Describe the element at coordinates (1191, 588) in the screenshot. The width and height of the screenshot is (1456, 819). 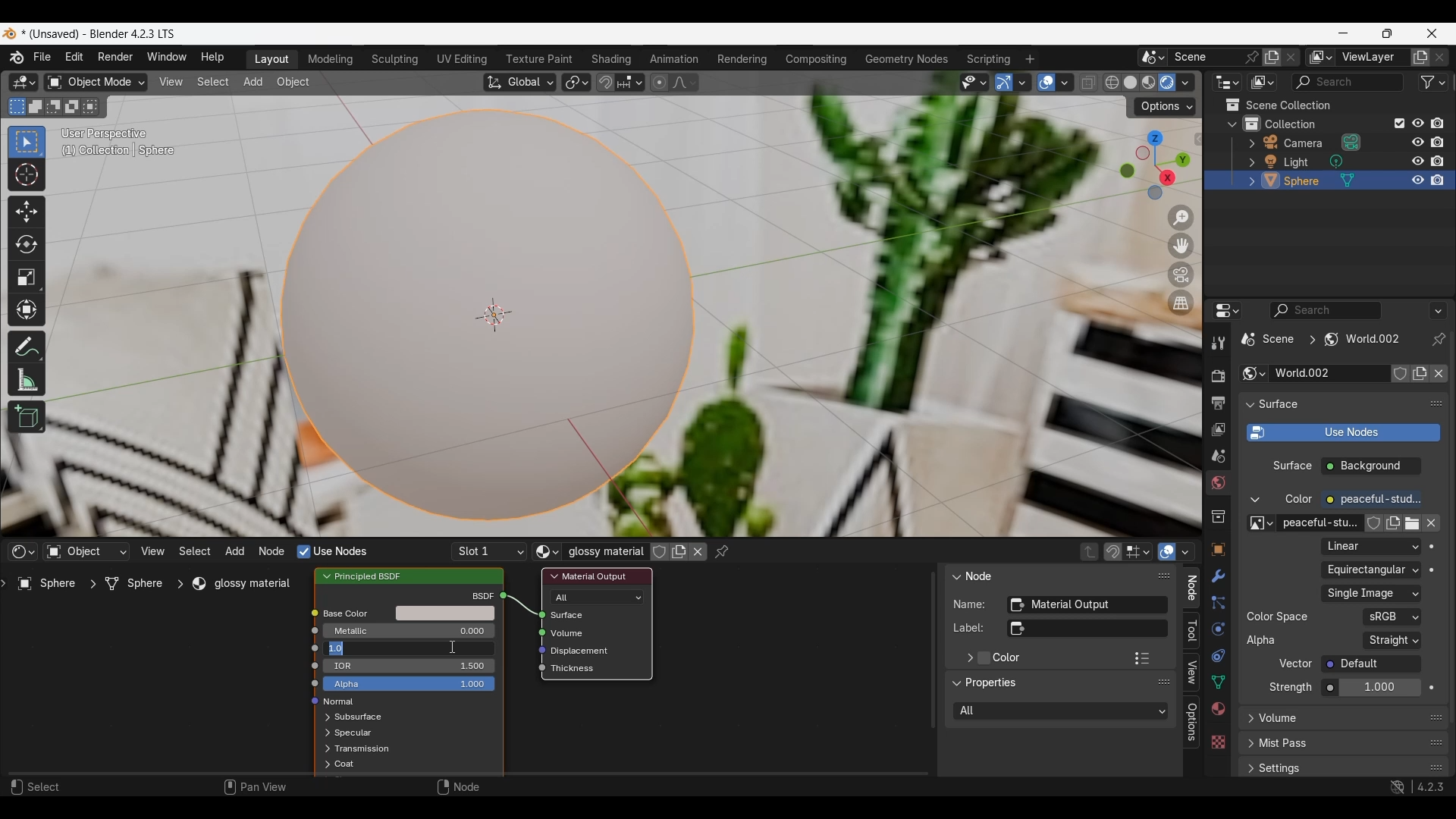
I see `Node panel` at that location.